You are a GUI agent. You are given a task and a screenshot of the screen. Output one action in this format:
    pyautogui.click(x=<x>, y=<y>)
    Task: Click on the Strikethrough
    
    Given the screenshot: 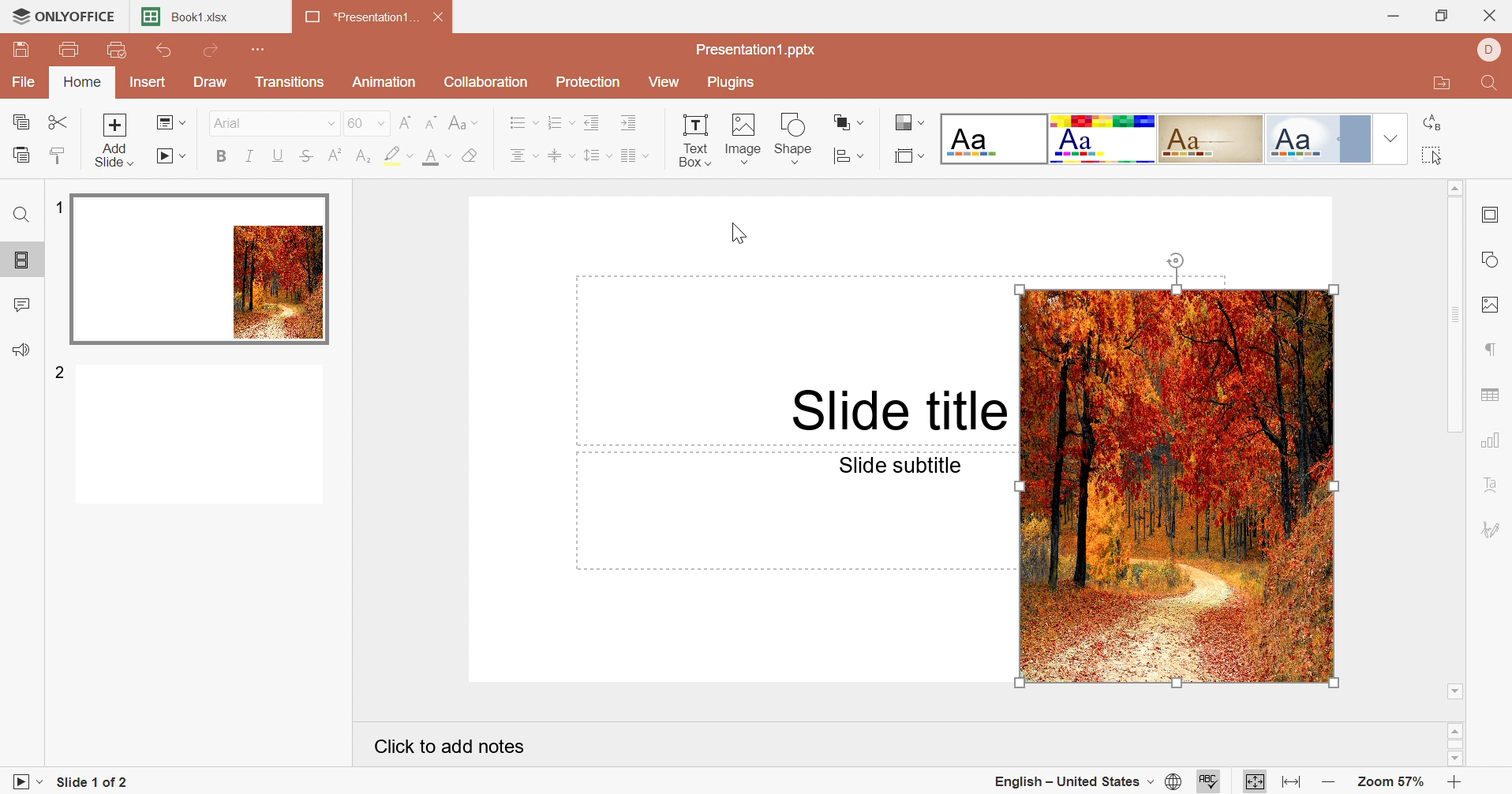 What is the action you would take?
    pyautogui.click(x=305, y=158)
    